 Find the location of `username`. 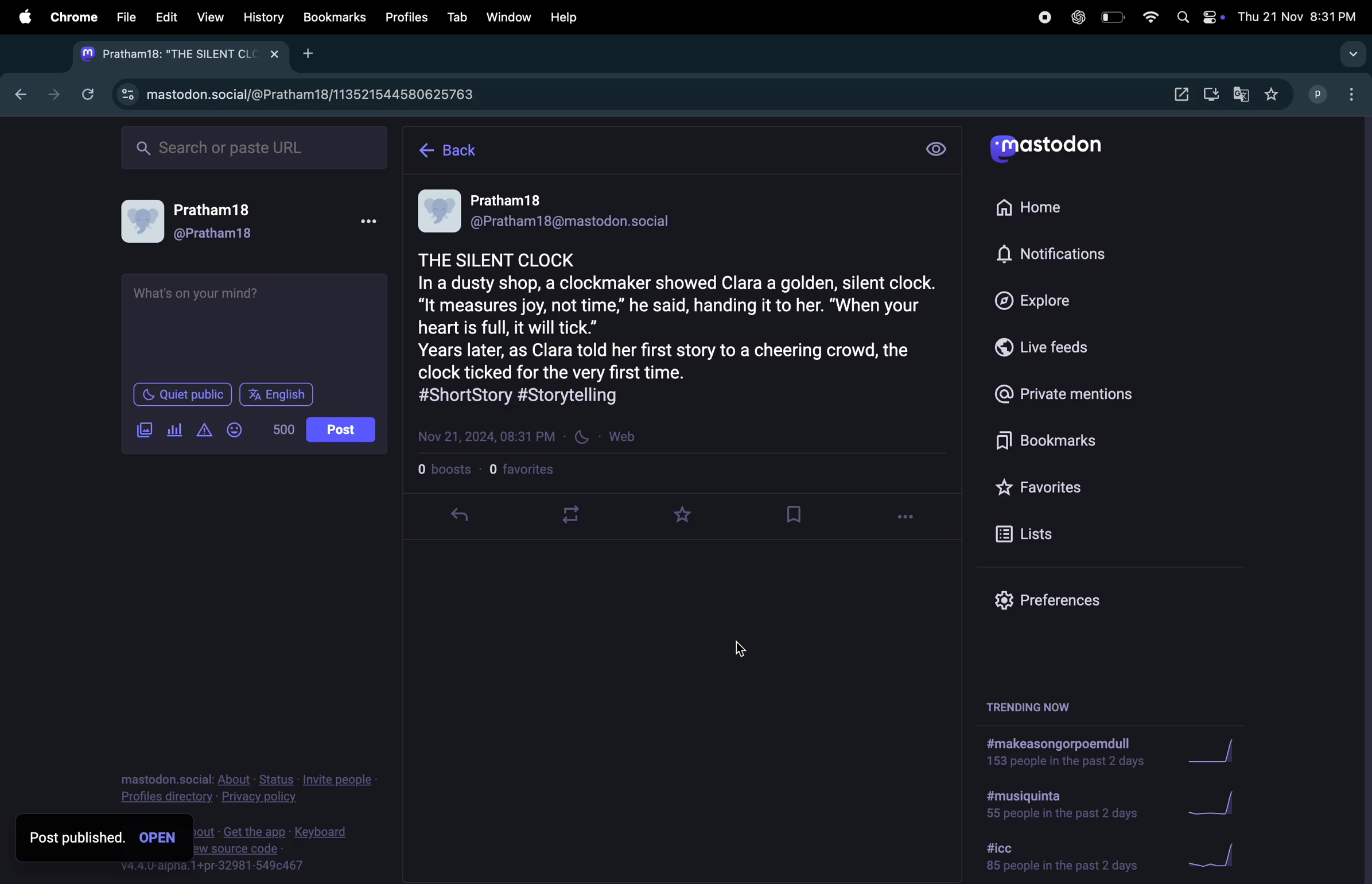

username is located at coordinates (1319, 95).